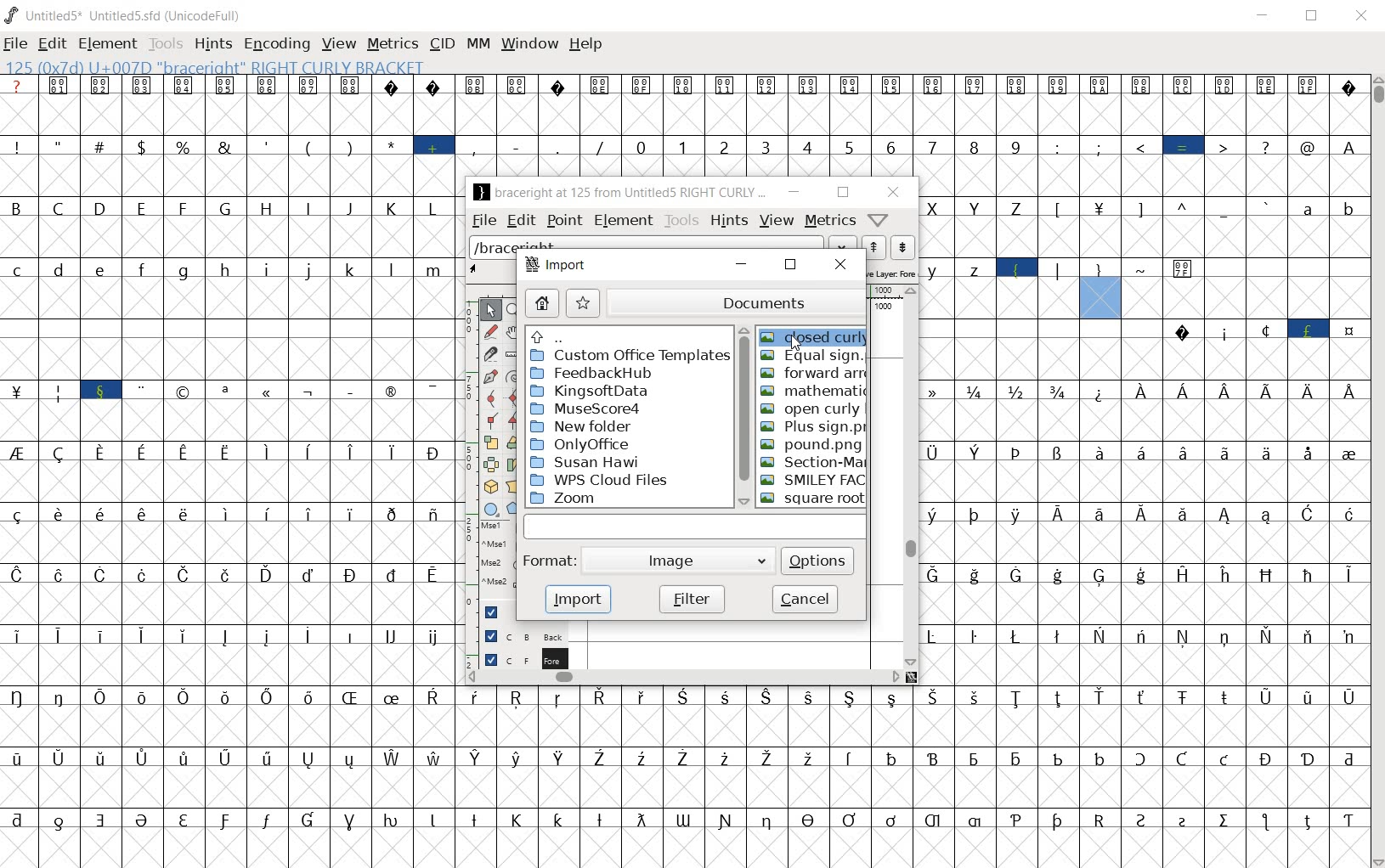 Image resolution: width=1385 pixels, height=868 pixels. I want to click on format, so click(547, 559).